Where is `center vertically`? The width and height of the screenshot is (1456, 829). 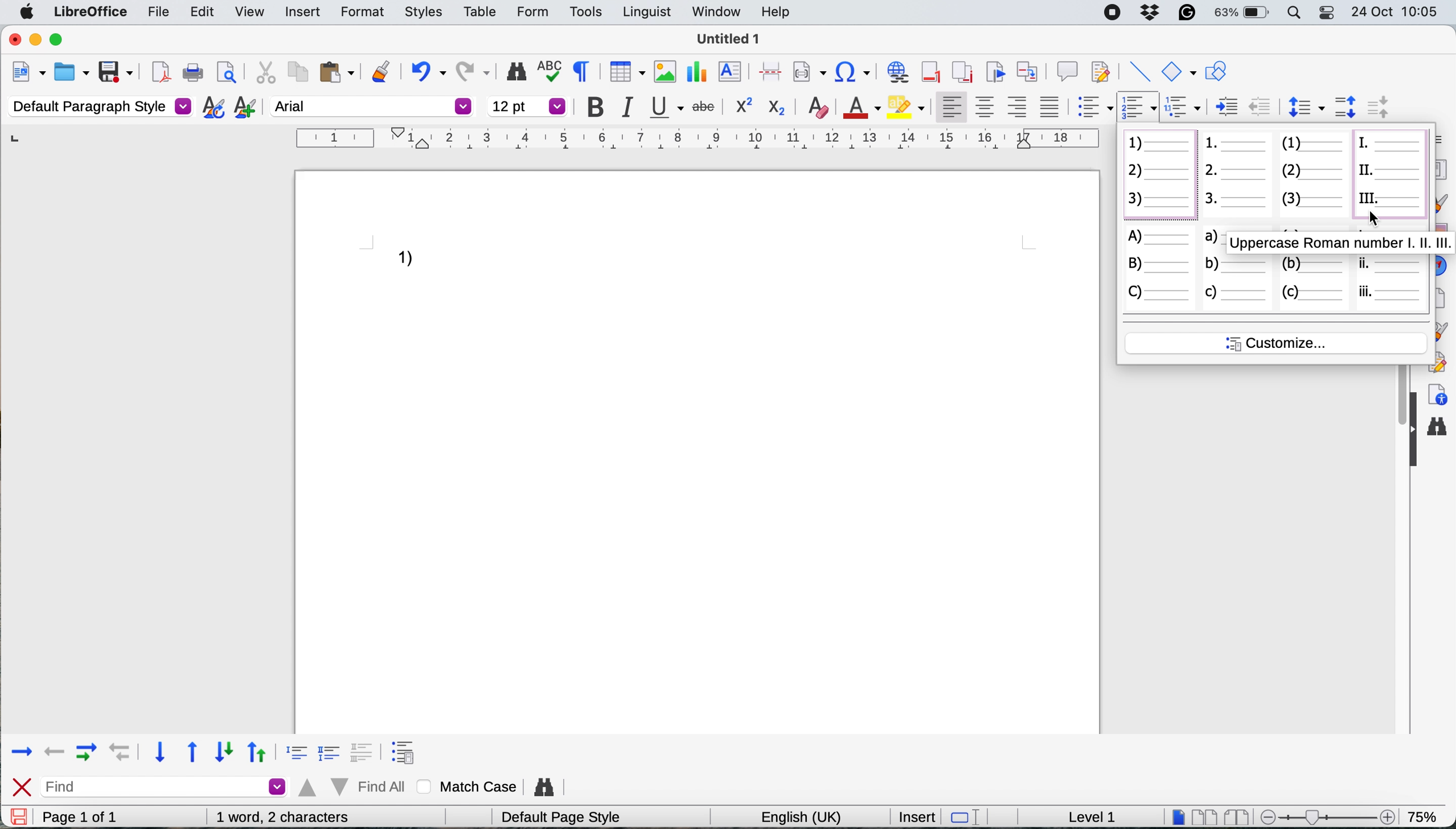 center vertically is located at coordinates (985, 106).